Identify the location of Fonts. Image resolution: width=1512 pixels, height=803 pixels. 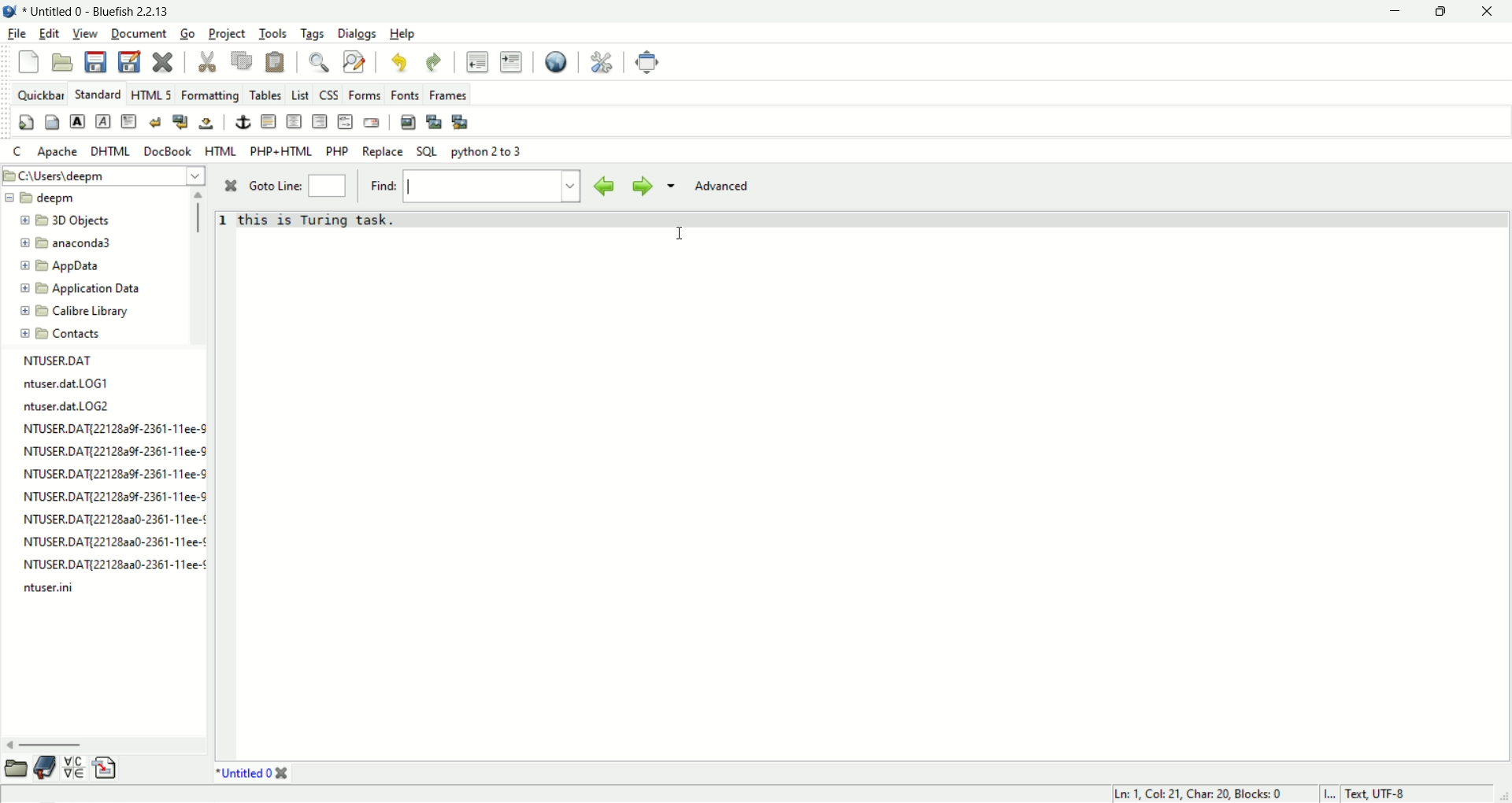
(407, 96).